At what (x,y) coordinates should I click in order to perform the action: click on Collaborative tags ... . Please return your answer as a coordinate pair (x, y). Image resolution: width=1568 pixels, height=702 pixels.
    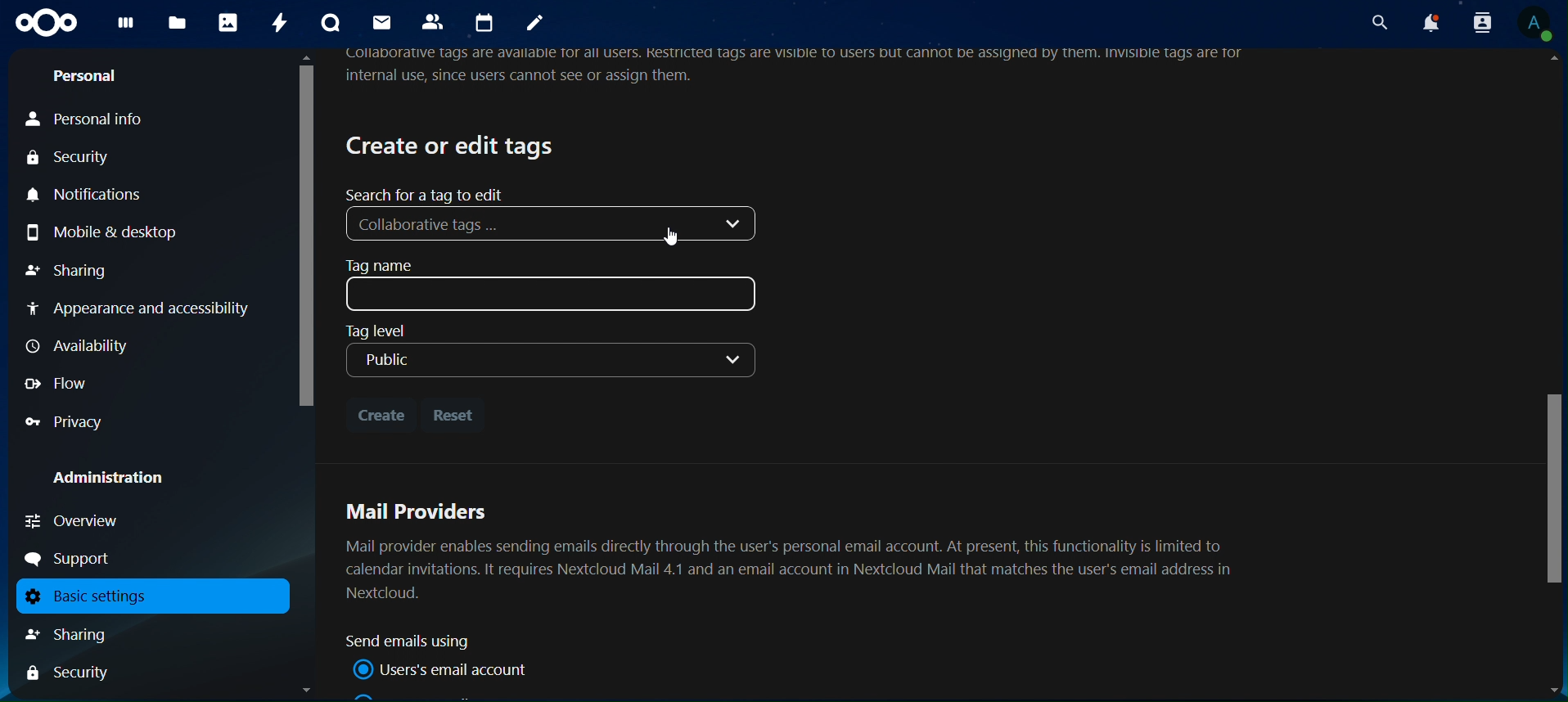
    Looking at the image, I should click on (552, 225).